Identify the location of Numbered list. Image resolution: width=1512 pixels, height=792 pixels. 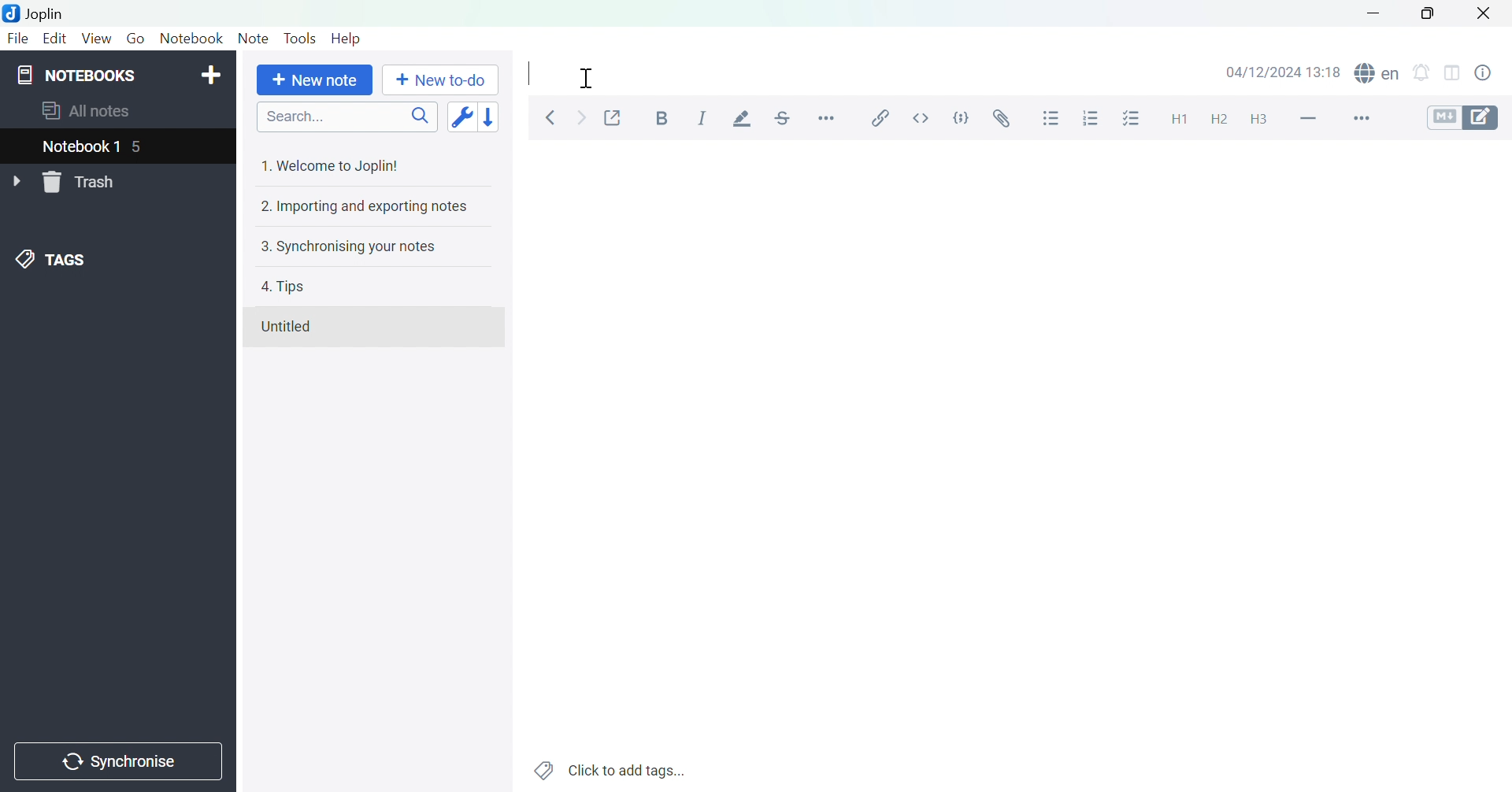
(1089, 119).